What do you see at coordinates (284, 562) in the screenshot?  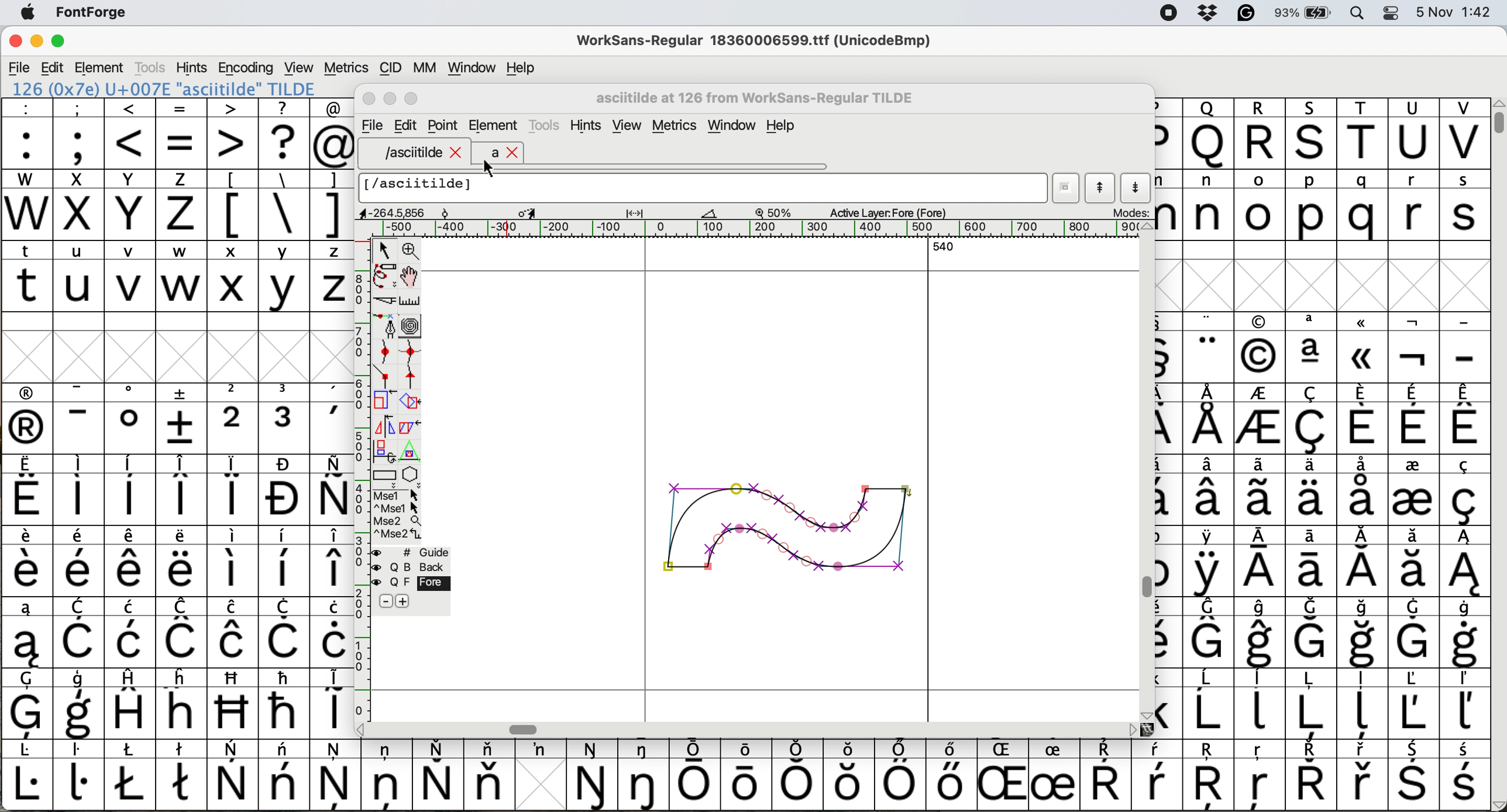 I see `symbol` at bounding box center [284, 562].